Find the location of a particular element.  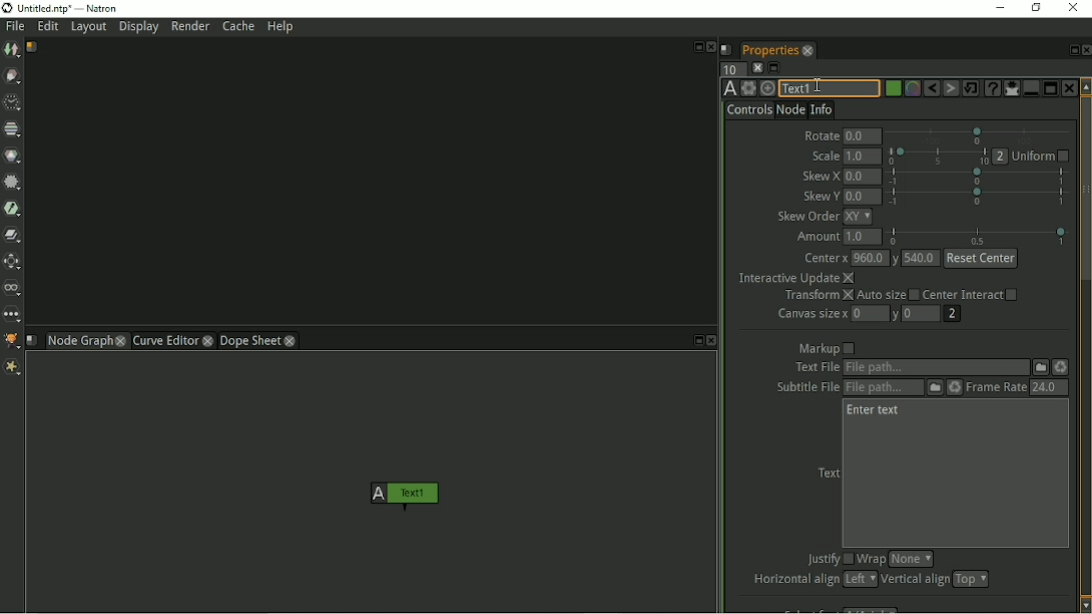

Layout is located at coordinates (88, 28).